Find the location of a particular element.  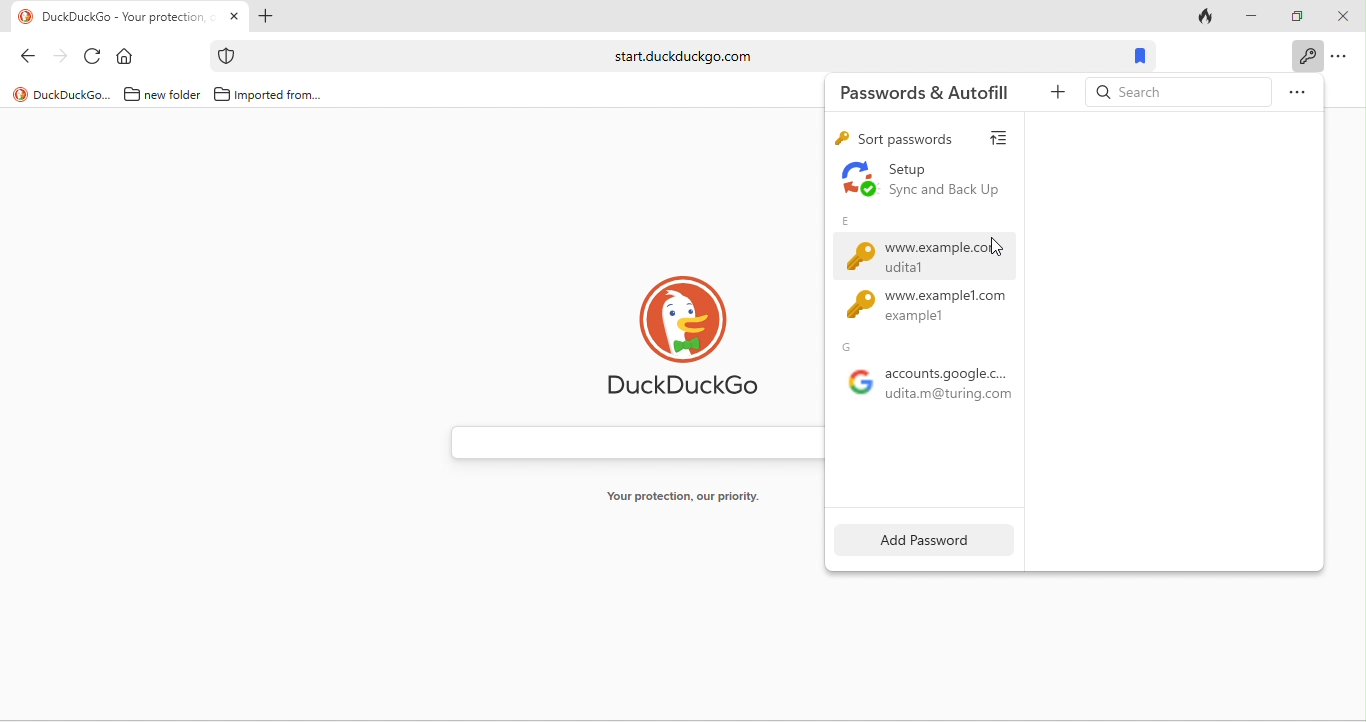

track tab is located at coordinates (1207, 20).